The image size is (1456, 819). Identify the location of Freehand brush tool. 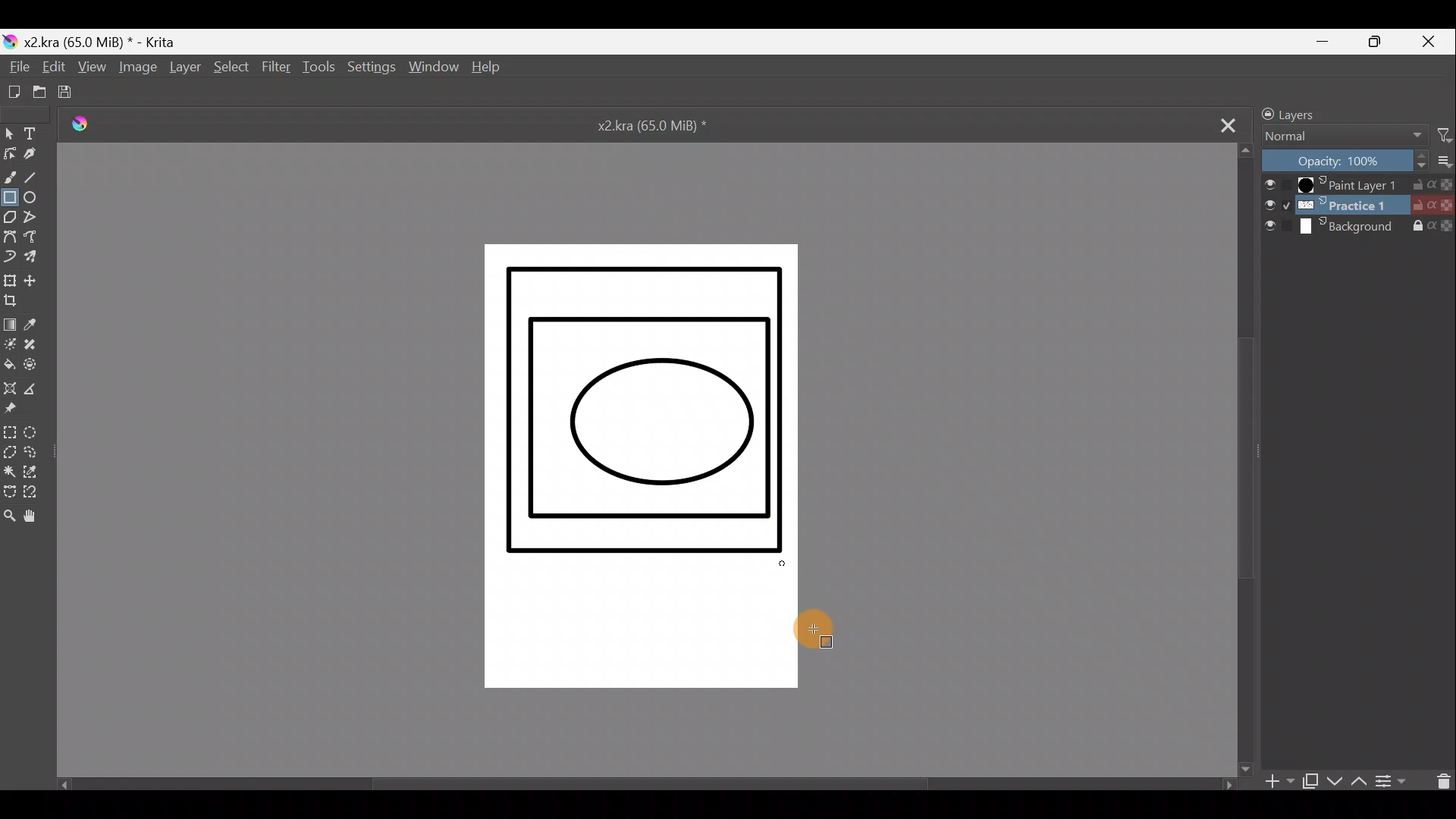
(9, 178).